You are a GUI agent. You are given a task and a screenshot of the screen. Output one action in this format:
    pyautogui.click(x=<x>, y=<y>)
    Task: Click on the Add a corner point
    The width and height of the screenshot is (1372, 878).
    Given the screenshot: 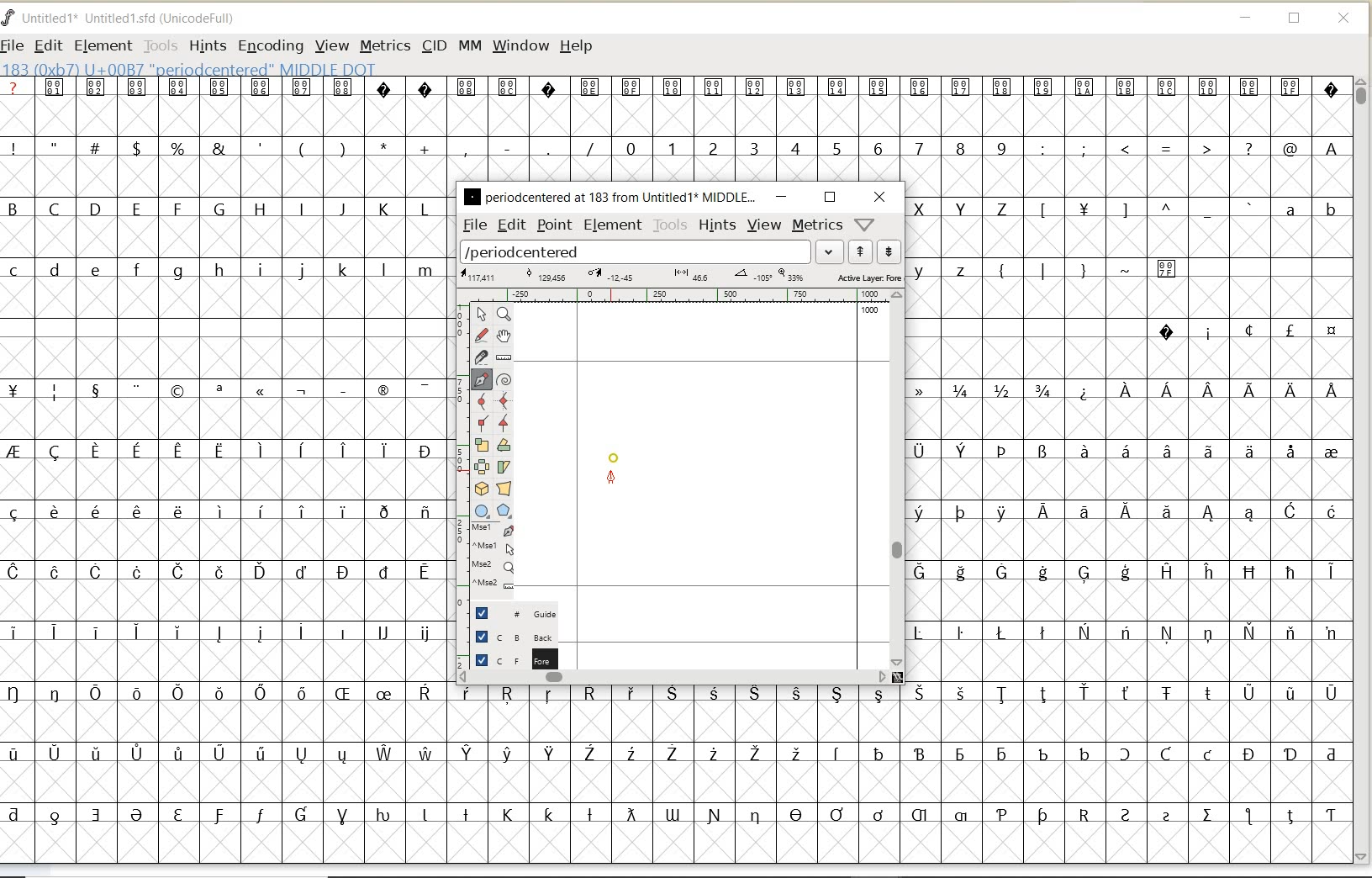 What is the action you would take?
    pyautogui.click(x=504, y=421)
    